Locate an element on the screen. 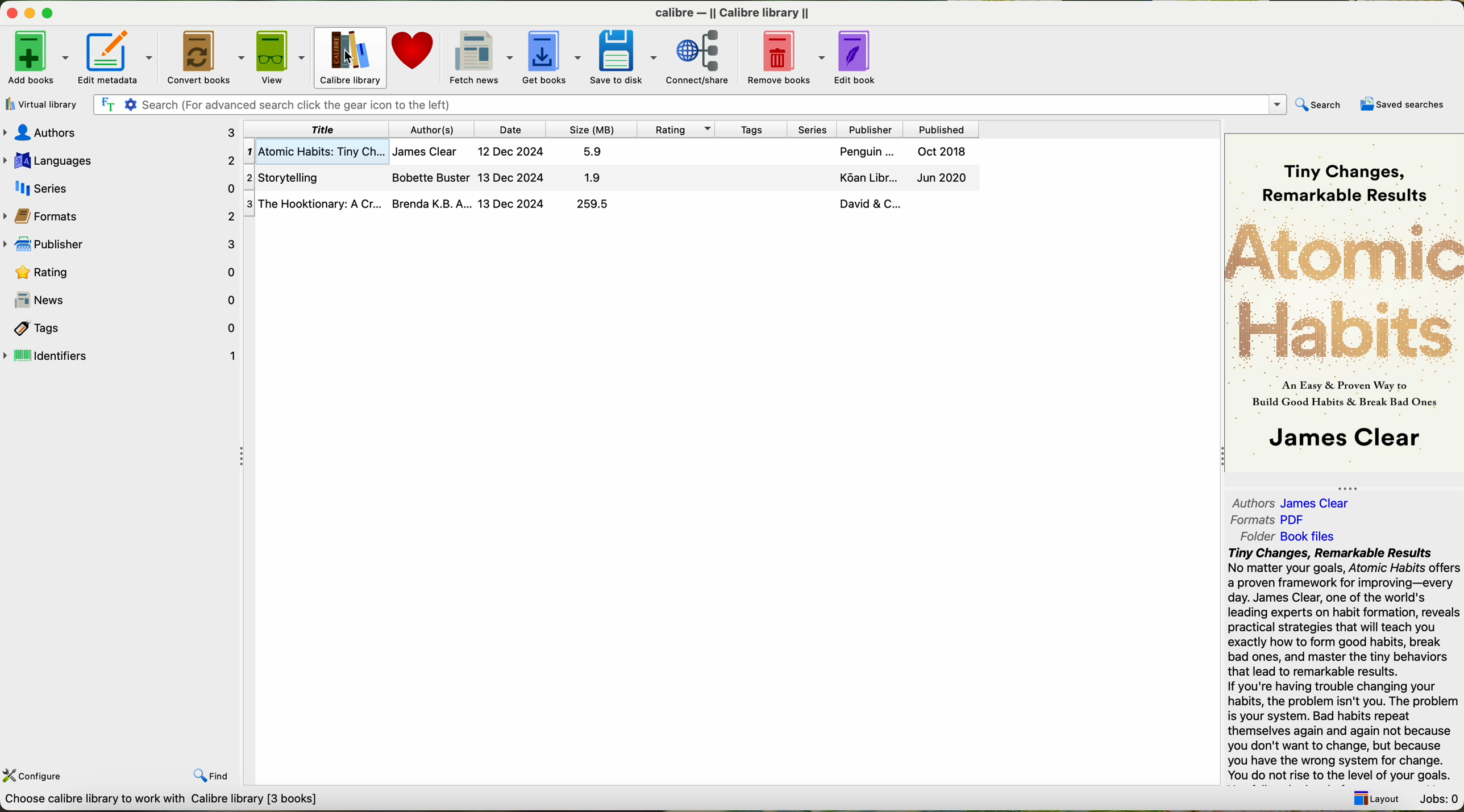 The width and height of the screenshot is (1464, 812). | Fr ¢ Search (For advanced search click the gear icon to the left) is located at coordinates (685, 103).